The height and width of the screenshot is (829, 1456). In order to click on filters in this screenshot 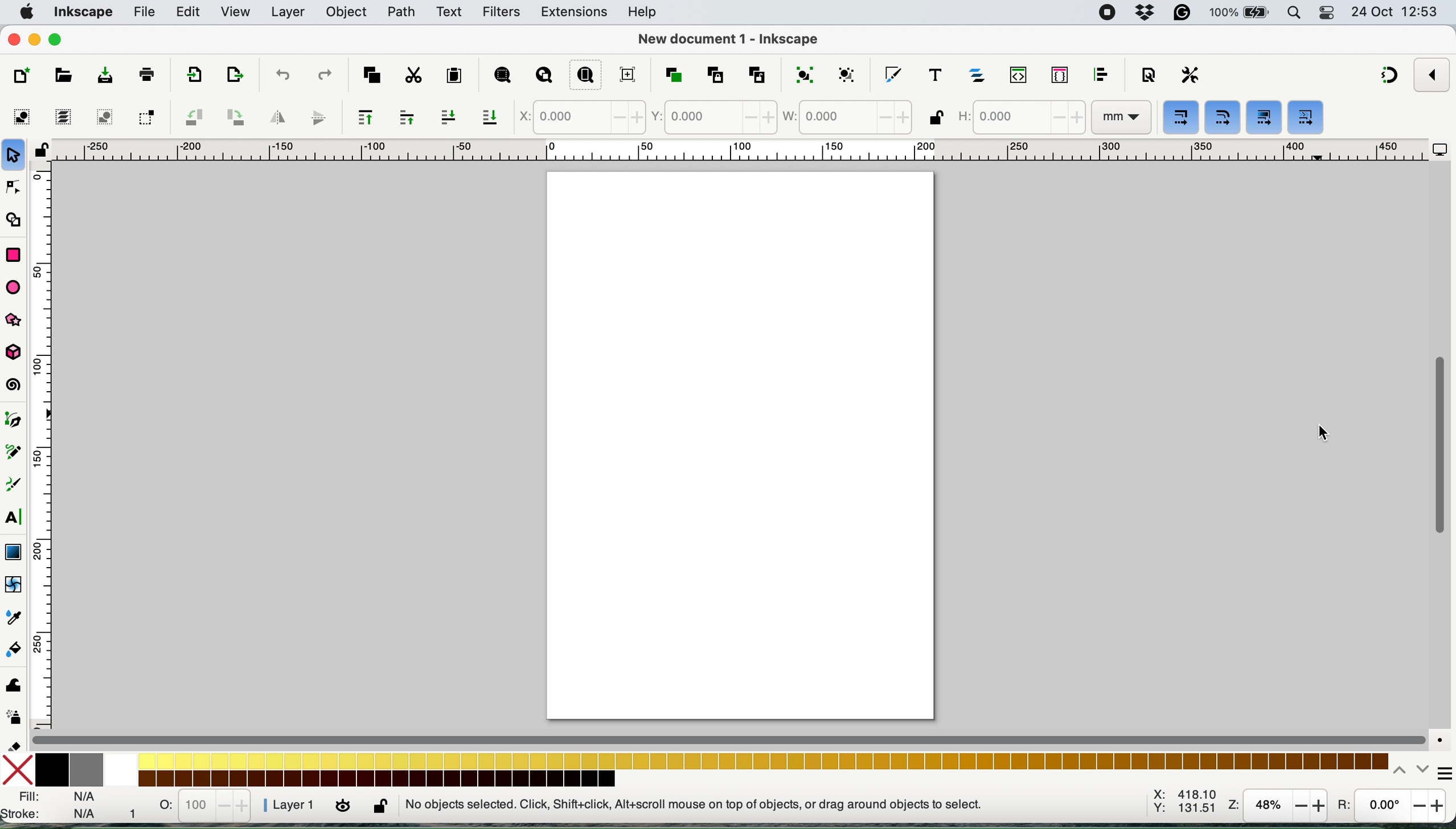, I will do `click(503, 14)`.